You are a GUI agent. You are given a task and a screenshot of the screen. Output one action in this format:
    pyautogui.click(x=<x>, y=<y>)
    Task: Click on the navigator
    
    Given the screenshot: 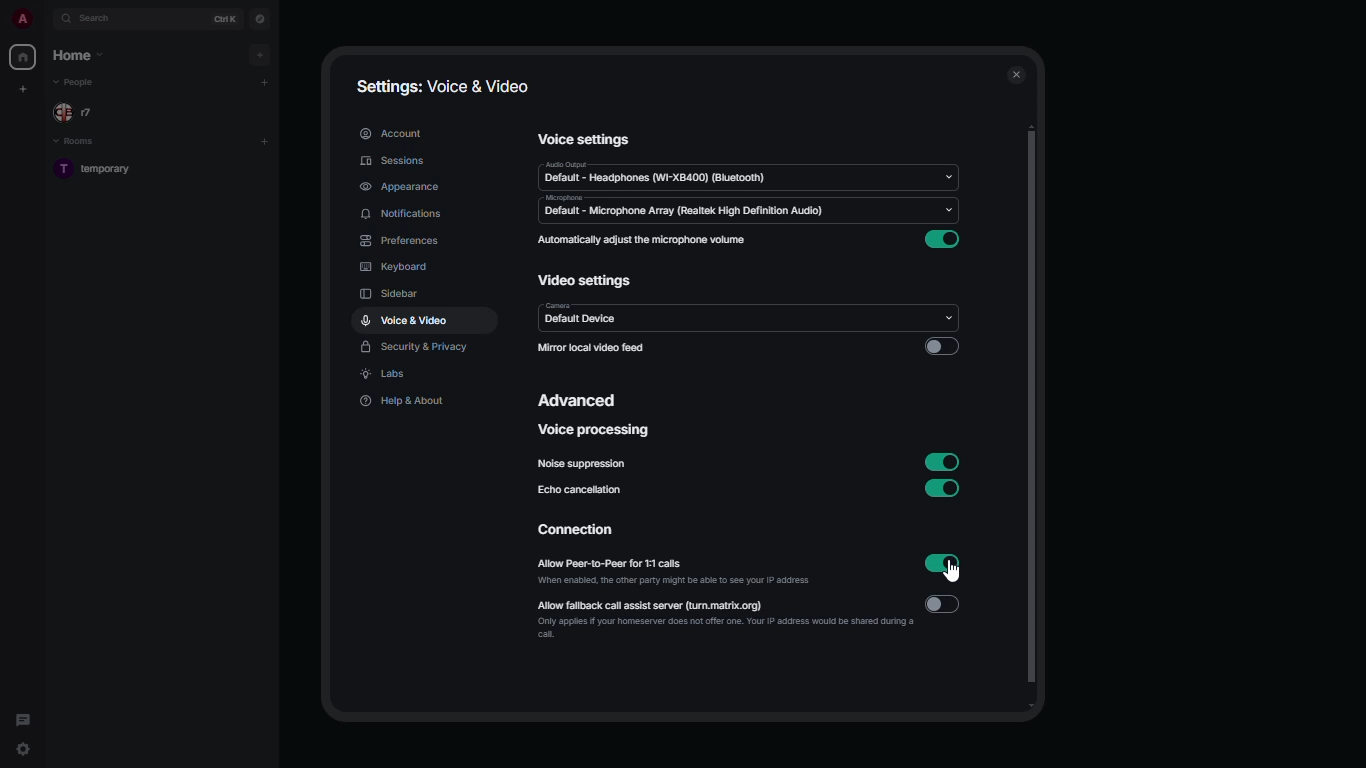 What is the action you would take?
    pyautogui.click(x=259, y=18)
    